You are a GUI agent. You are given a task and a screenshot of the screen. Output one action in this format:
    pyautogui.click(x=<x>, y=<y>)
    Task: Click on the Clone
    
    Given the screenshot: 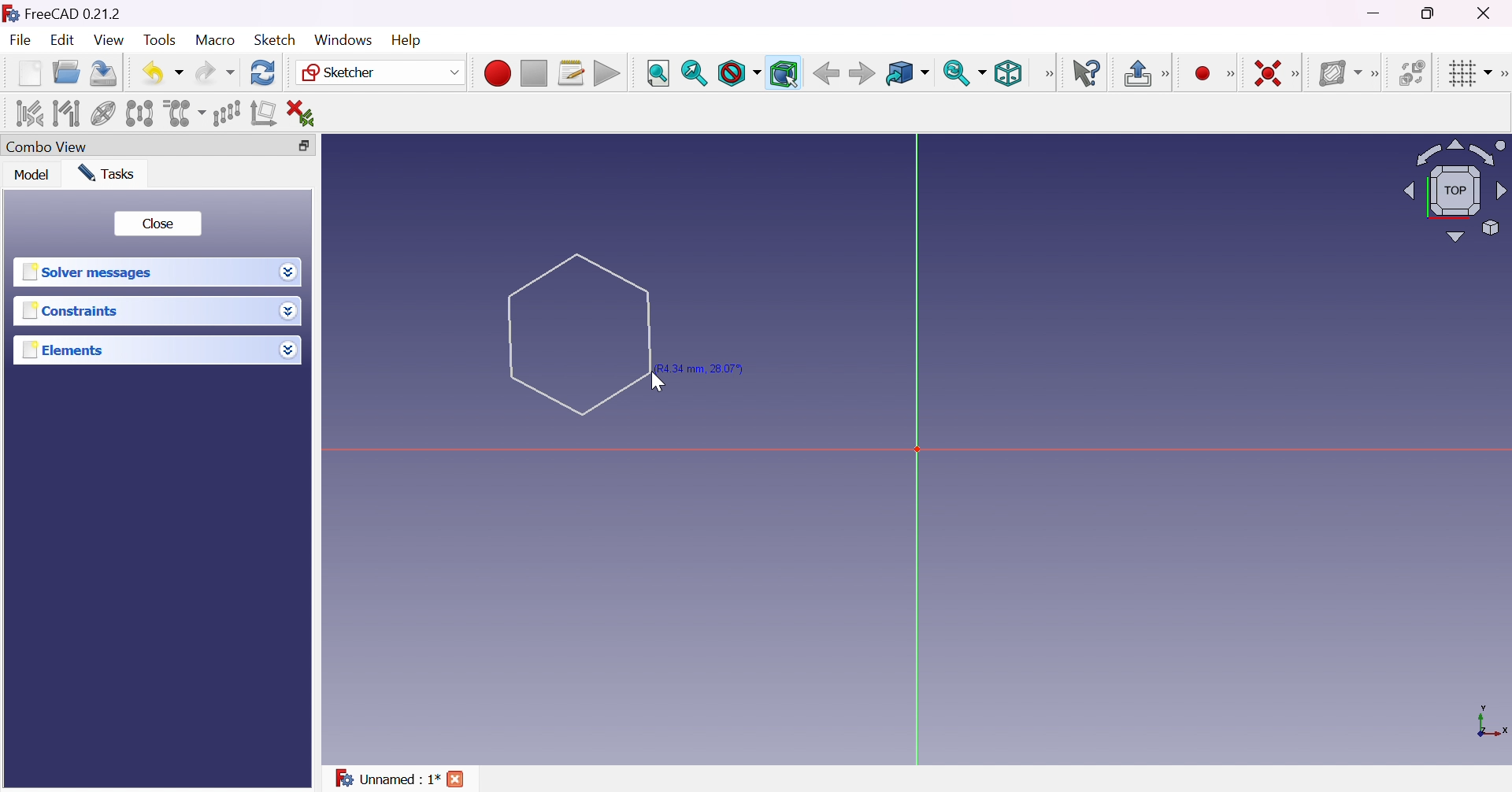 What is the action you would take?
    pyautogui.click(x=183, y=112)
    